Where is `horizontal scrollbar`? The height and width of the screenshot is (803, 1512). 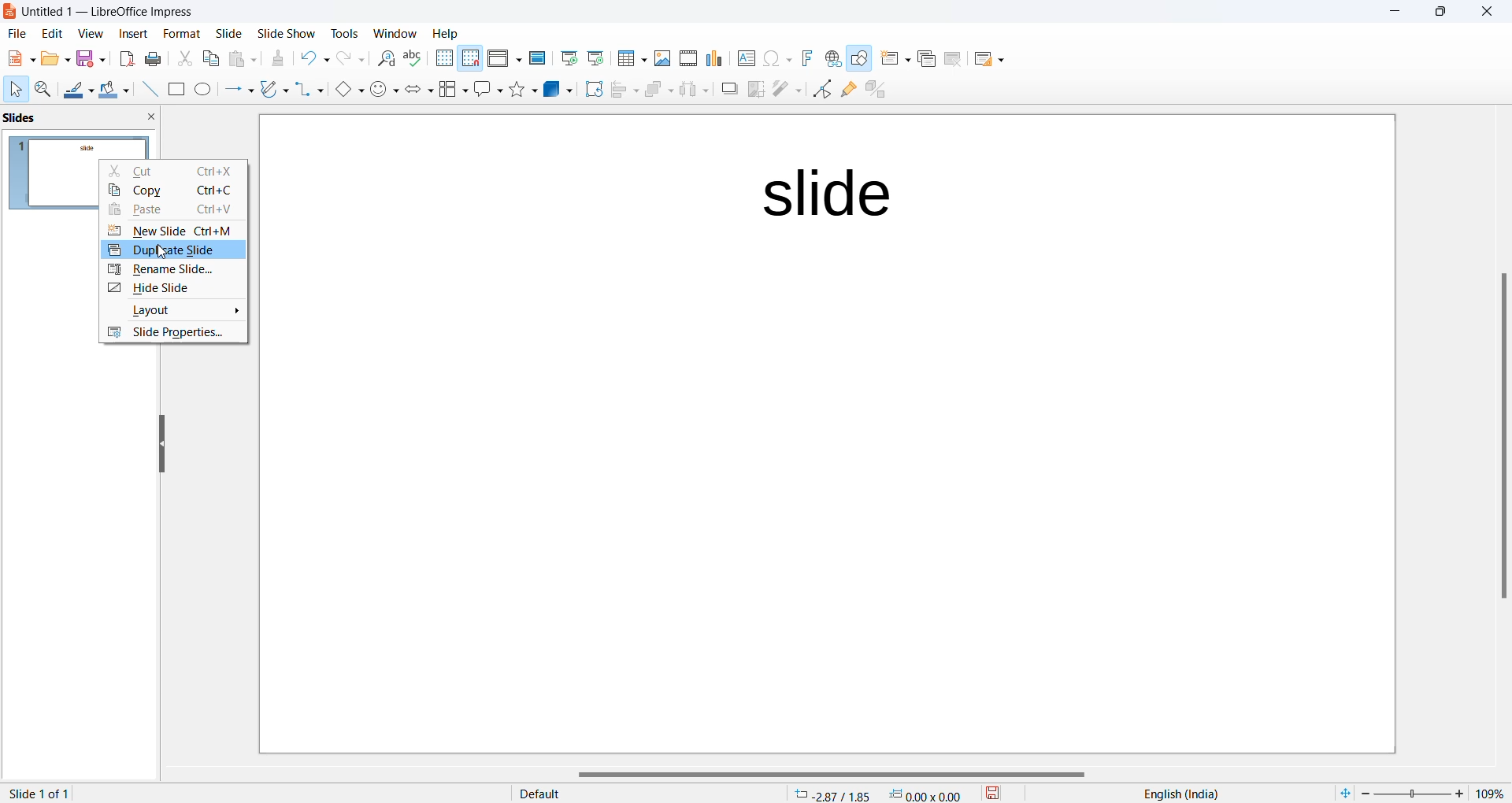
horizontal scrollbar is located at coordinates (828, 774).